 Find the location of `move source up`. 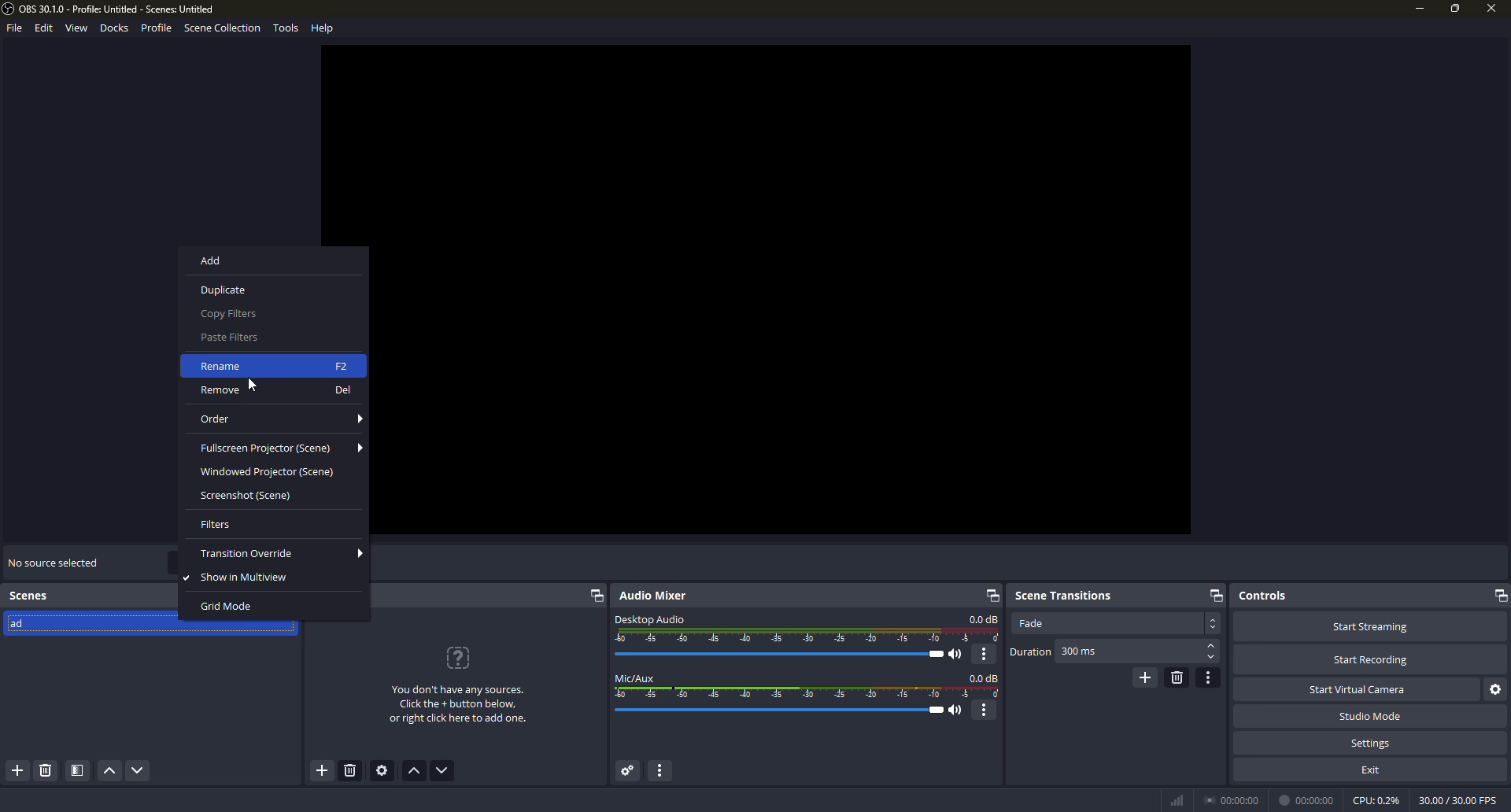

move source up is located at coordinates (416, 772).